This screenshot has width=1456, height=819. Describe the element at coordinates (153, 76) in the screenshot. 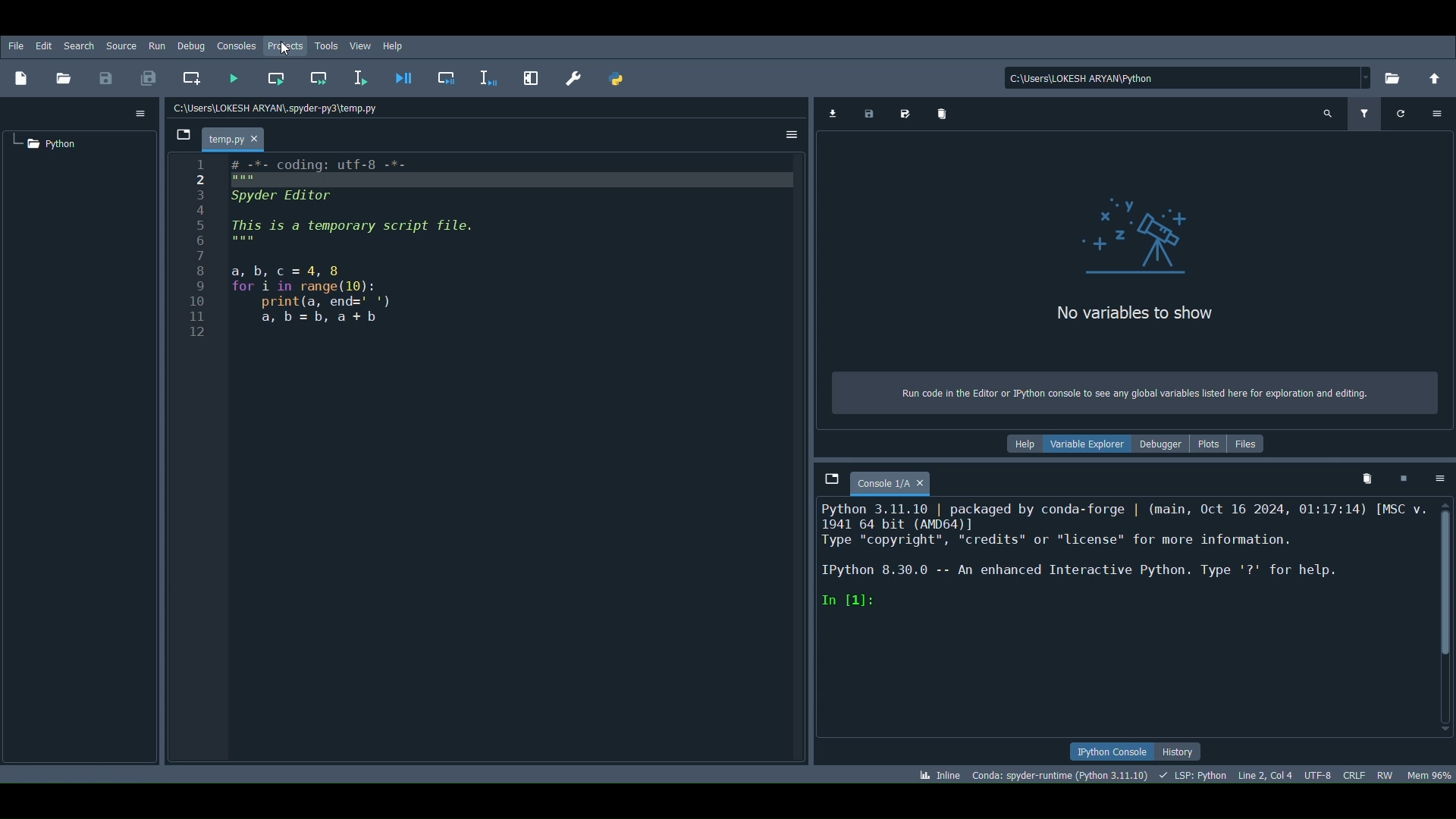

I see `Save all (Ctrl + Alt + S)` at that location.